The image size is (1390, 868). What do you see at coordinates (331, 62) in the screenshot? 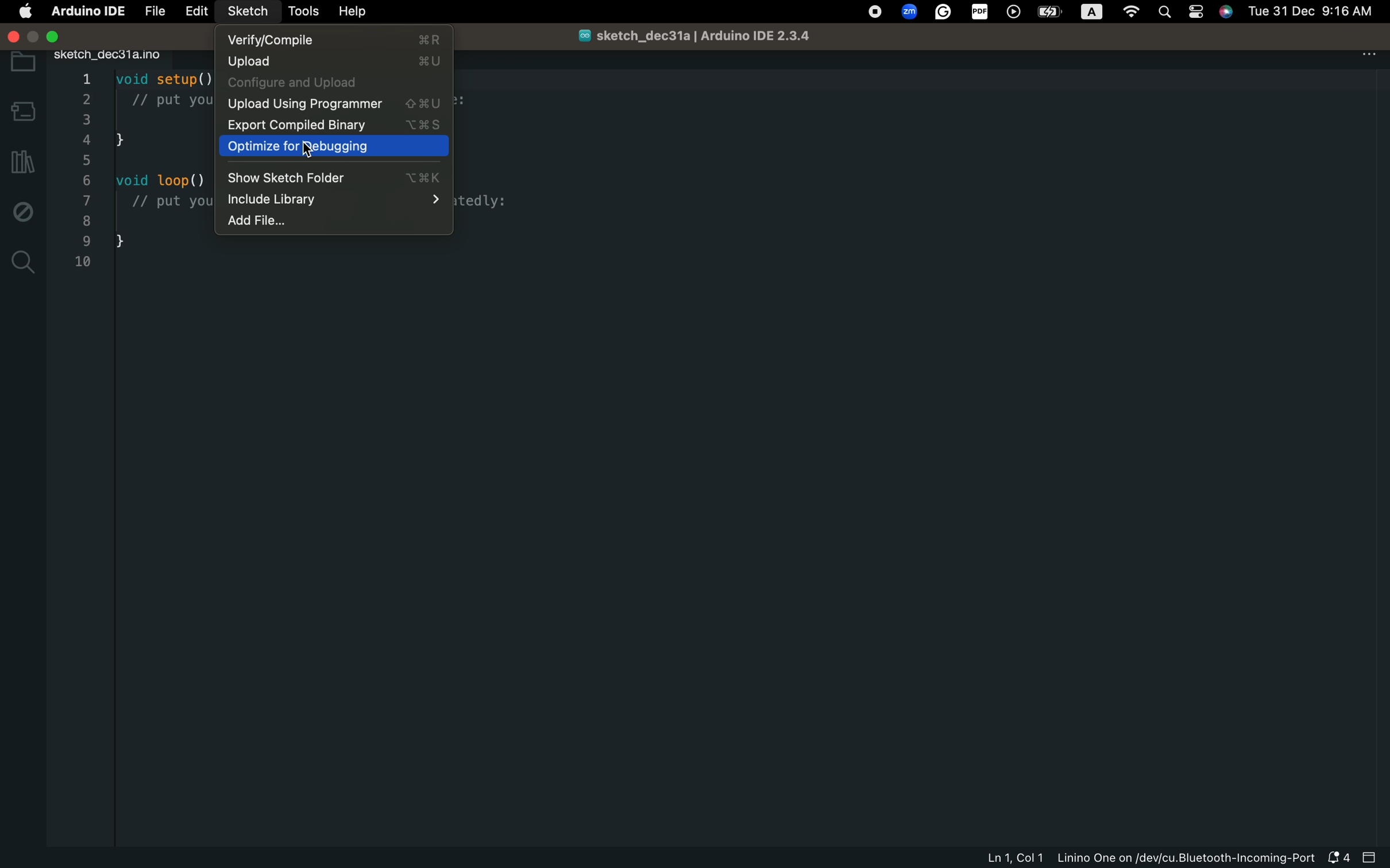
I see `upload` at bounding box center [331, 62].